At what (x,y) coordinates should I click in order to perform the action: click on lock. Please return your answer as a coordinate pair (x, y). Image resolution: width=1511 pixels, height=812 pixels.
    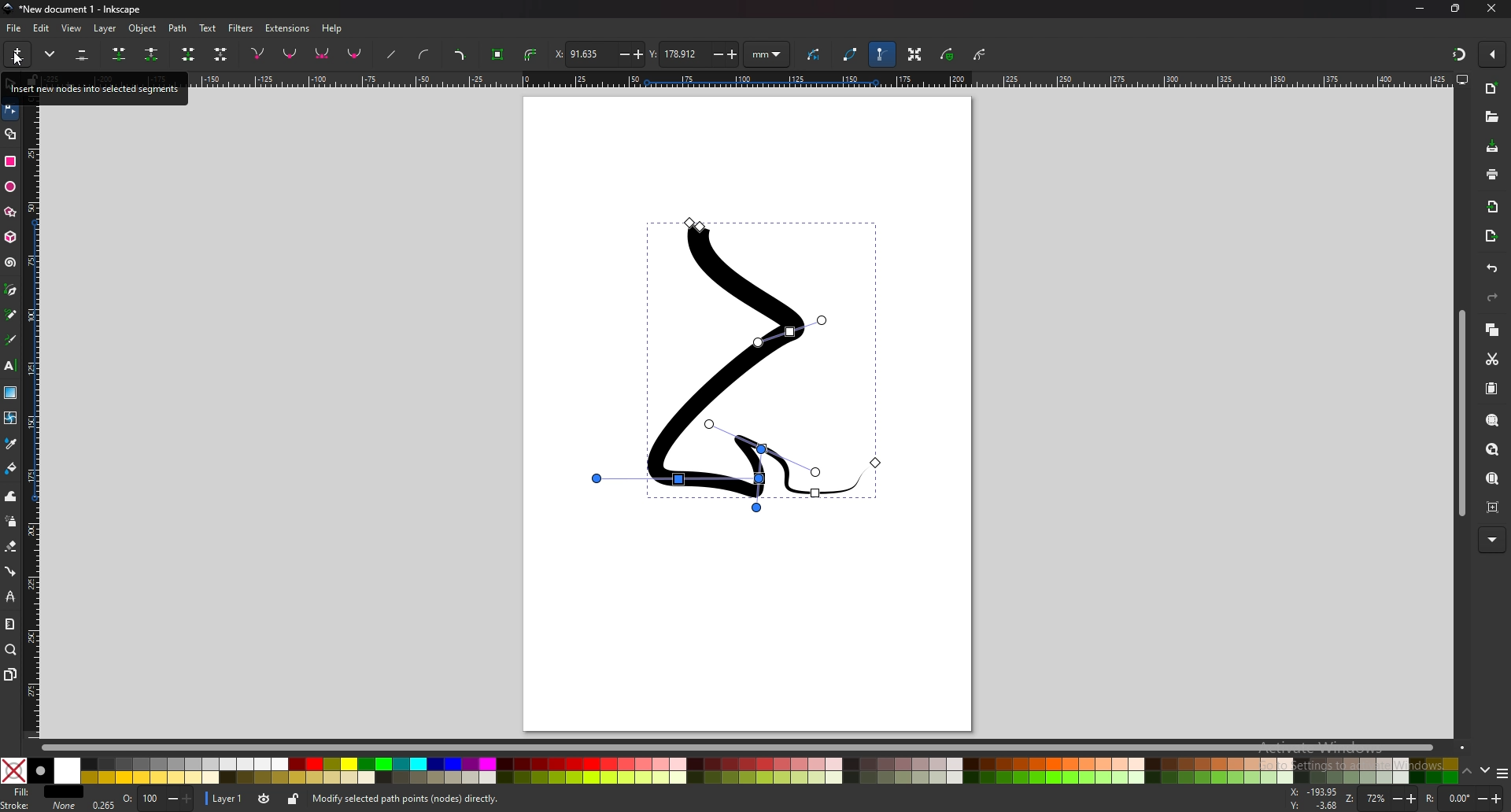
    Looking at the image, I should click on (292, 801).